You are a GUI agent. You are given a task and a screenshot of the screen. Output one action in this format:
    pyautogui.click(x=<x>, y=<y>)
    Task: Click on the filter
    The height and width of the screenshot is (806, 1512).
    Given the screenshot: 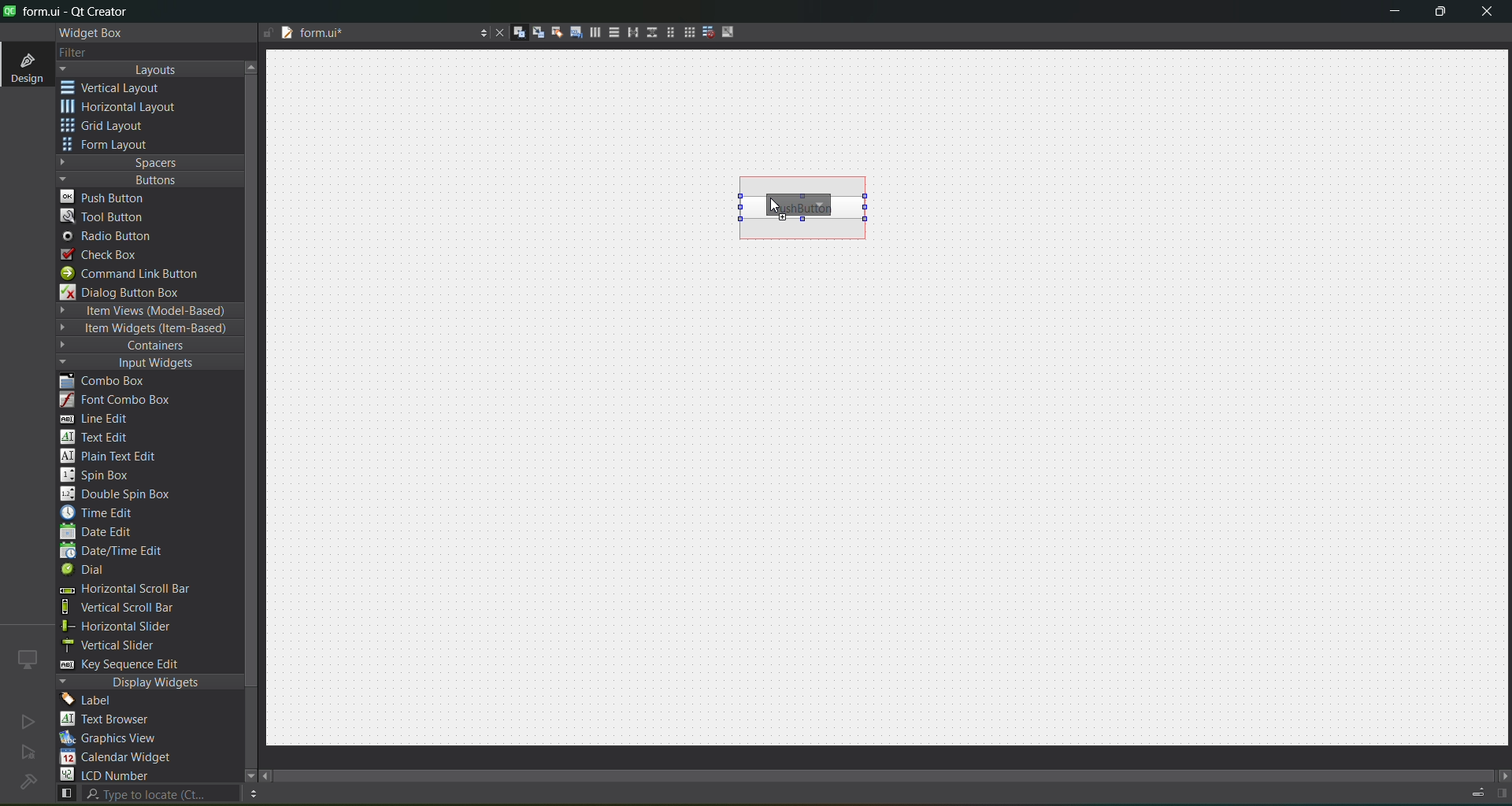 What is the action you would take?
    pyautogui.click(x=85, y=54)
    